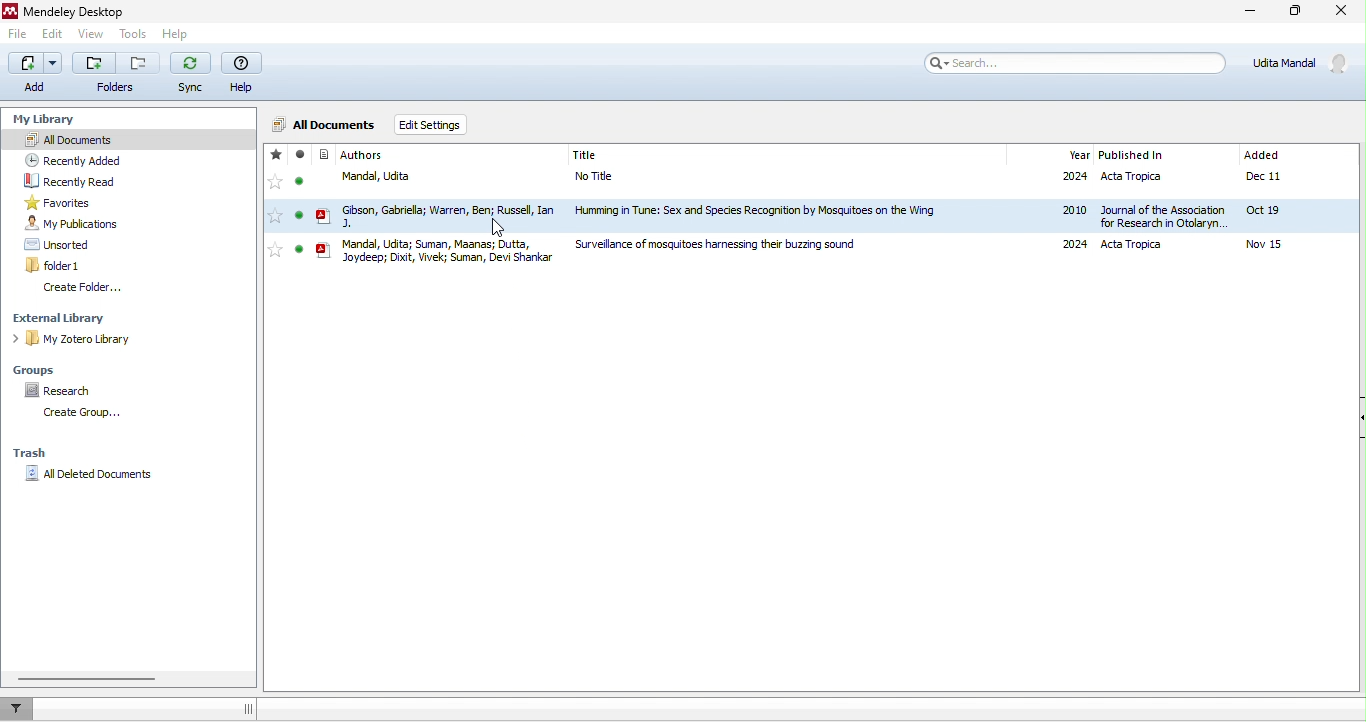  Describe the element at coordinates (63, 265) in the screenshot. I see `folder1` at that location.